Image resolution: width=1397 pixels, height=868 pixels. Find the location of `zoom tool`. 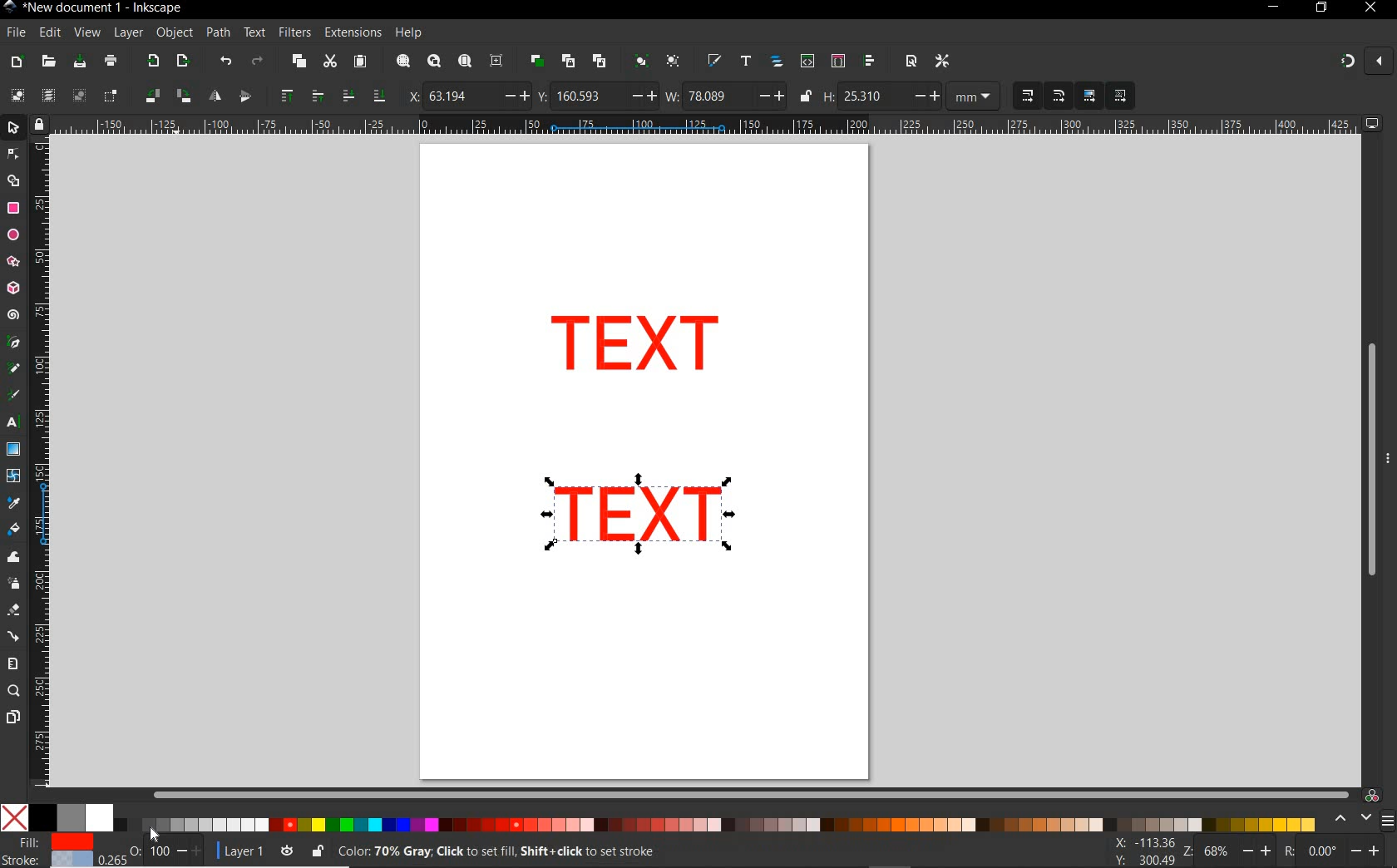

zoom tool is located at coordinates (13, 692).